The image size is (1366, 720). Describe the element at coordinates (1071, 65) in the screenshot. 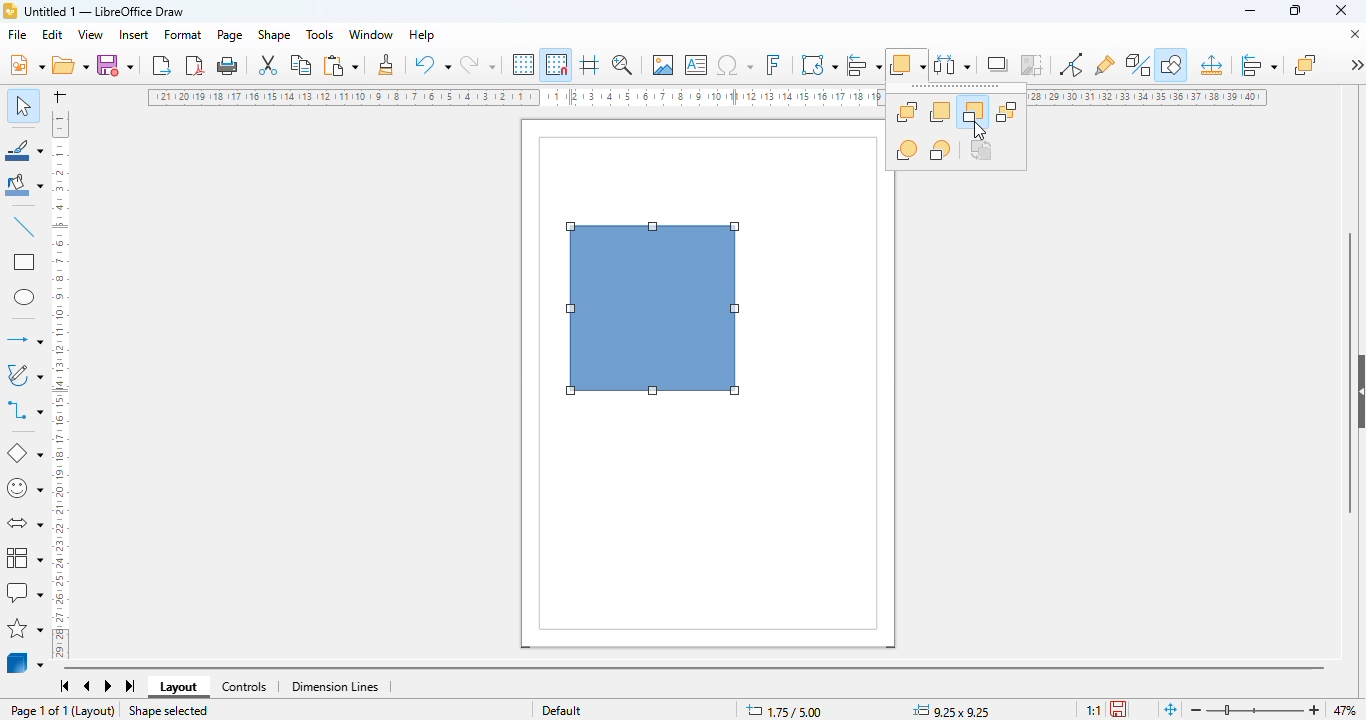

I see `toggle point edit mode` at that location.